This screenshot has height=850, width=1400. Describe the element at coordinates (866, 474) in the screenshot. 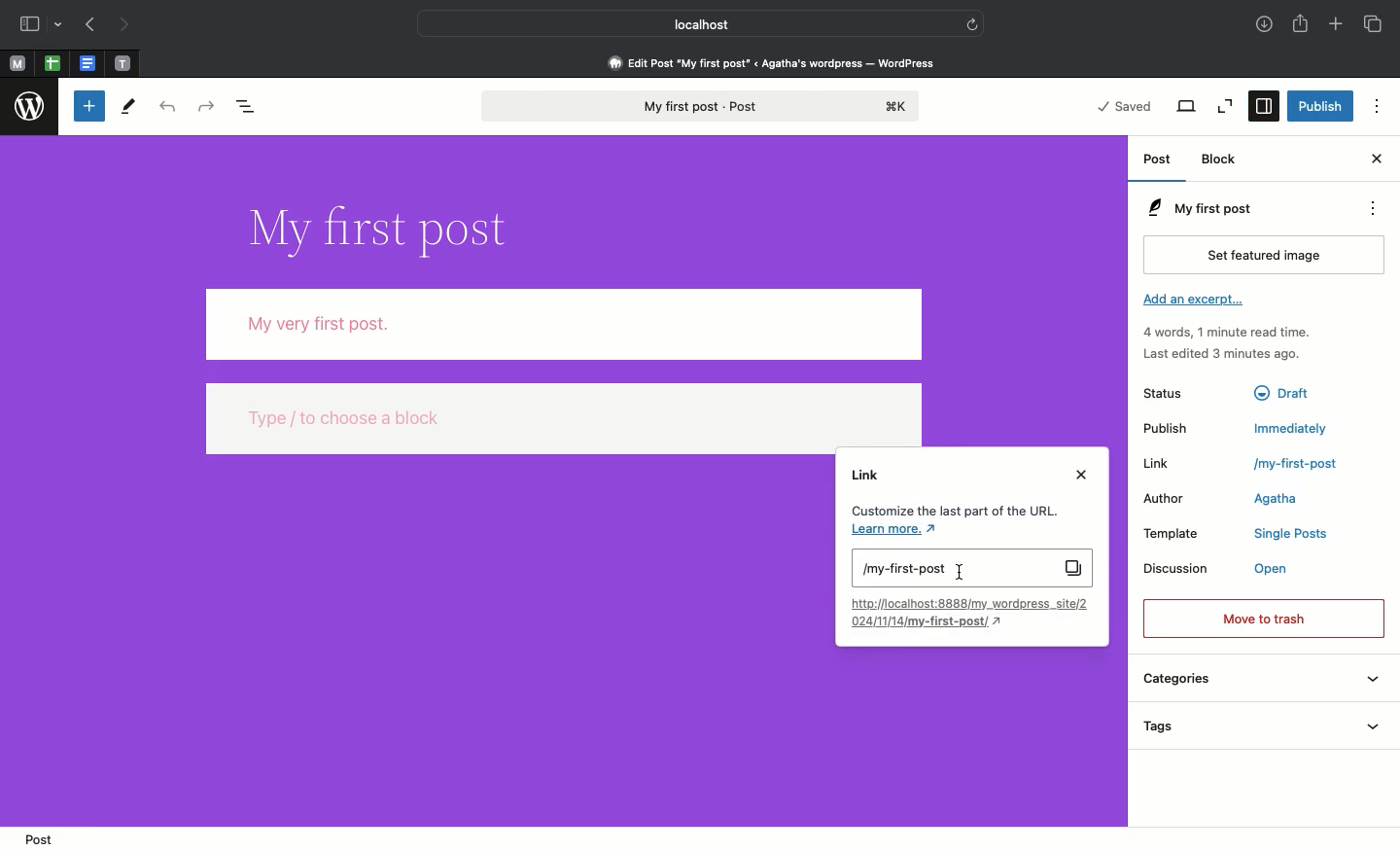

I see `Link` at that location.